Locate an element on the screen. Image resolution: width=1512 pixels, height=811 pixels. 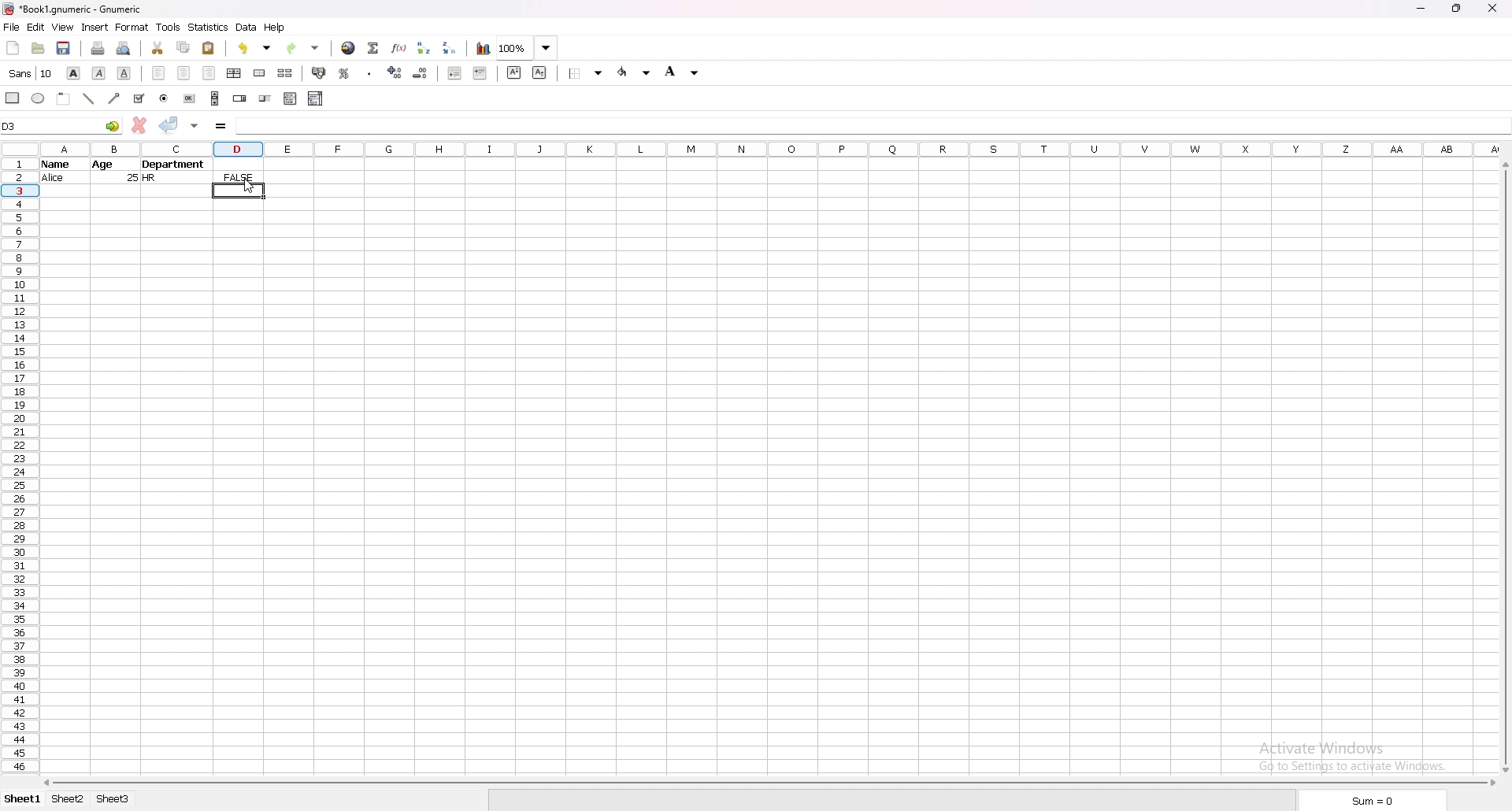
resize is located at coordinates (1455, 9).